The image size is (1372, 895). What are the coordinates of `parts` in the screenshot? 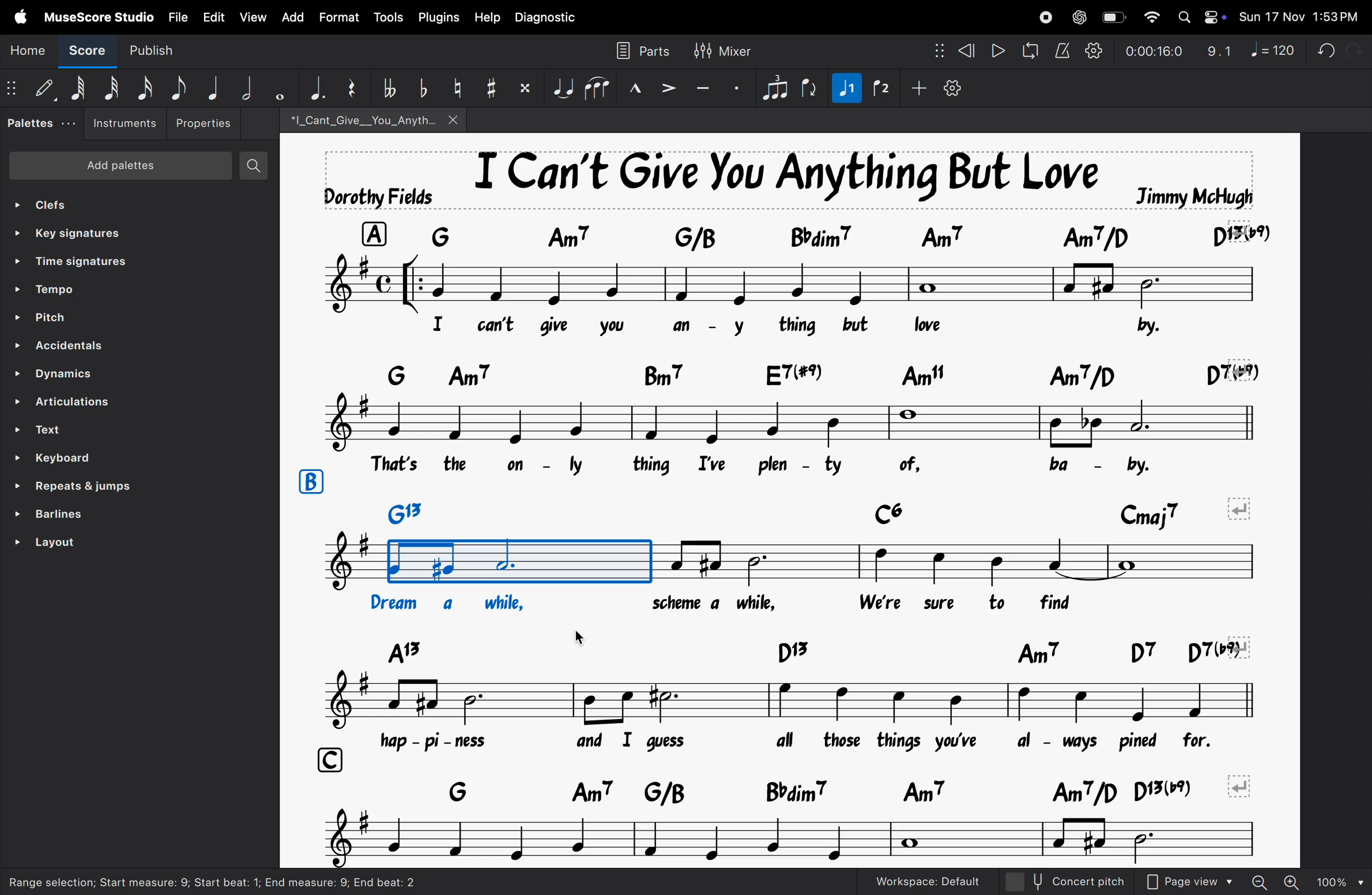 It's located at (644, 48).